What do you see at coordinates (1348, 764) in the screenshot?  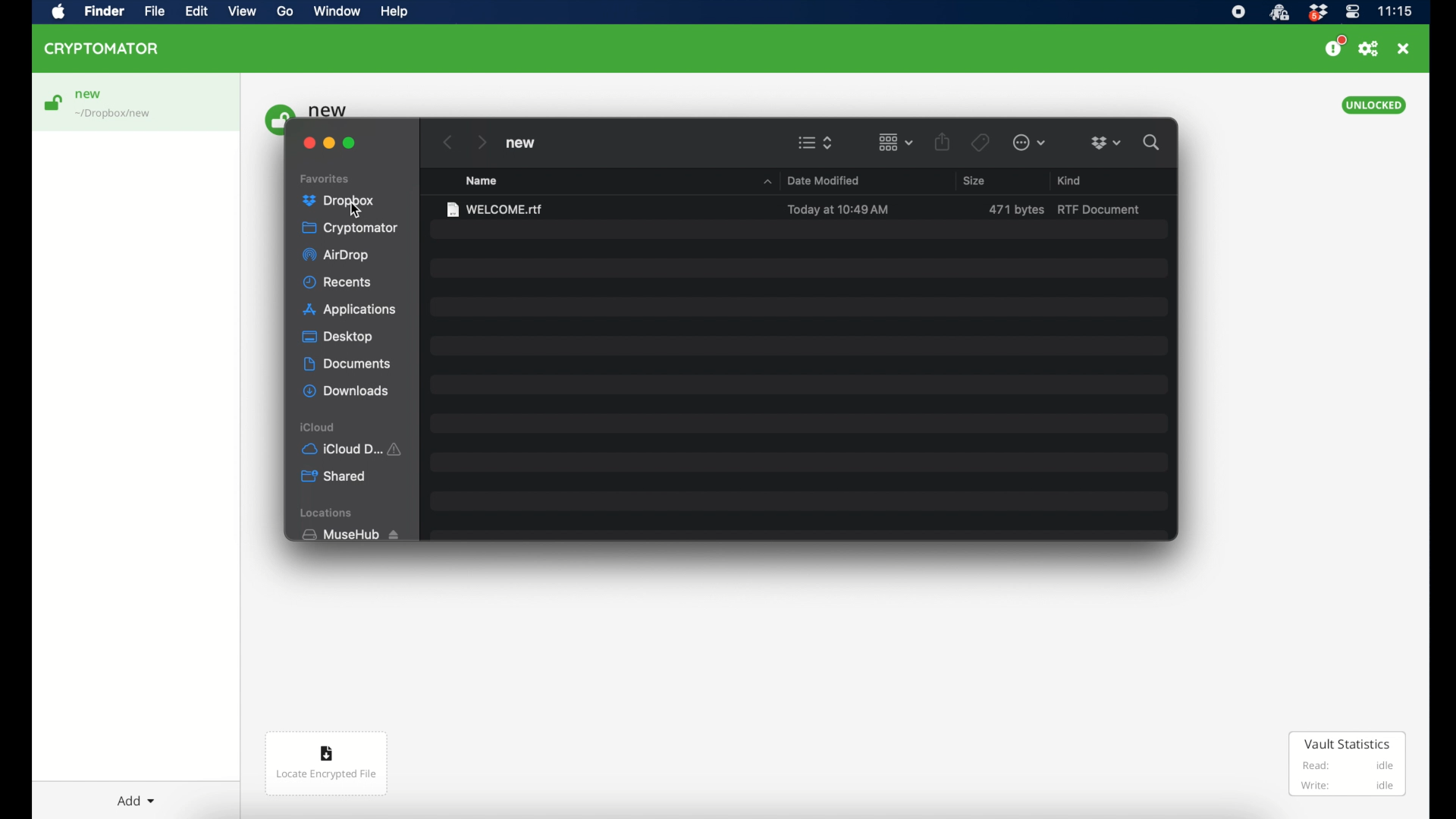 I see `vault statistics` at bounding box center [1348, 764].